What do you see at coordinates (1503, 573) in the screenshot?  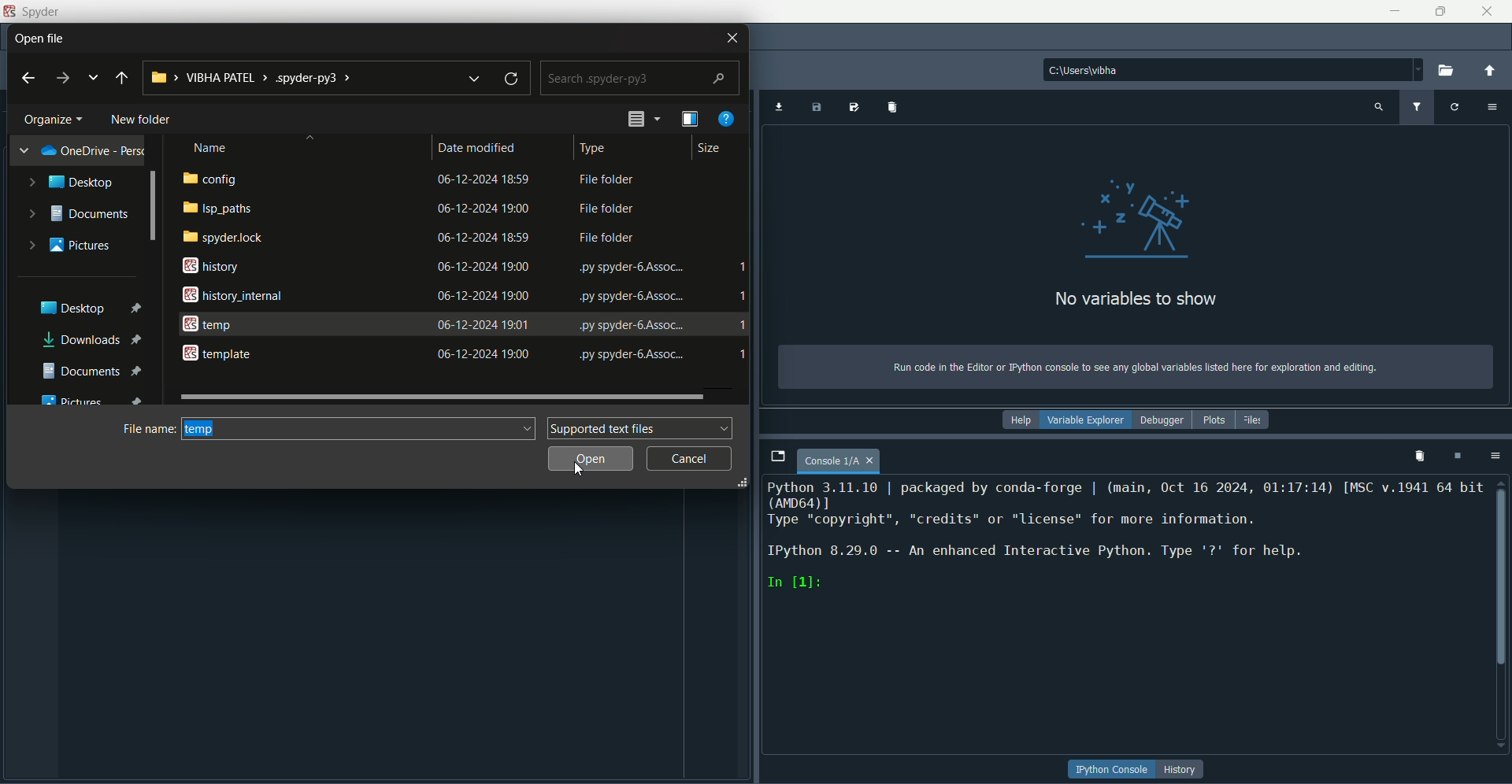 I see `scroll bar` at bounding box center [1503, 573].